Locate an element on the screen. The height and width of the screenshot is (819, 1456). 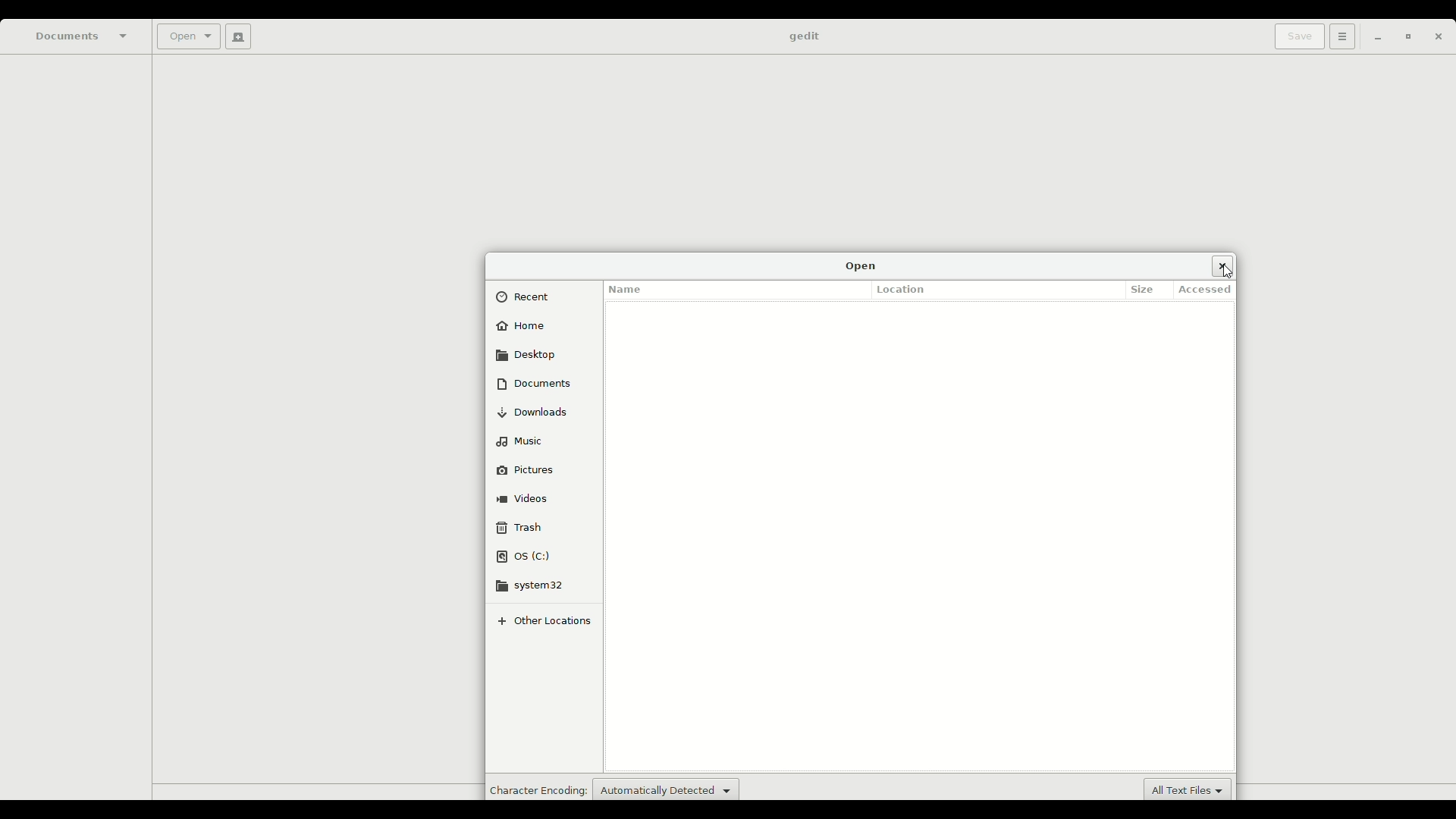
Trash is located at coordinates (520, 527).